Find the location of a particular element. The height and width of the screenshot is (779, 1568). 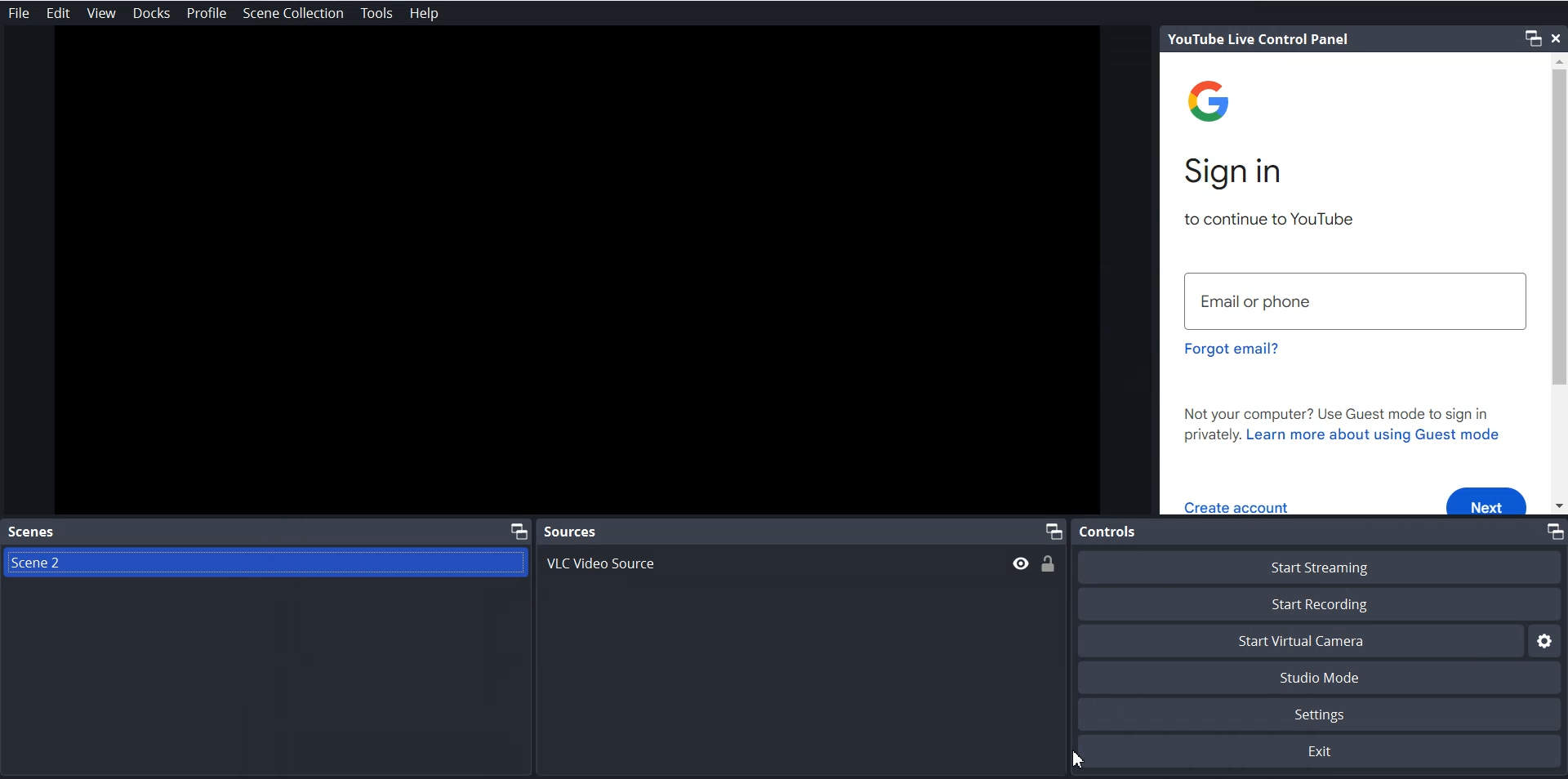

Cursor is located at coordinates (1079, 756).